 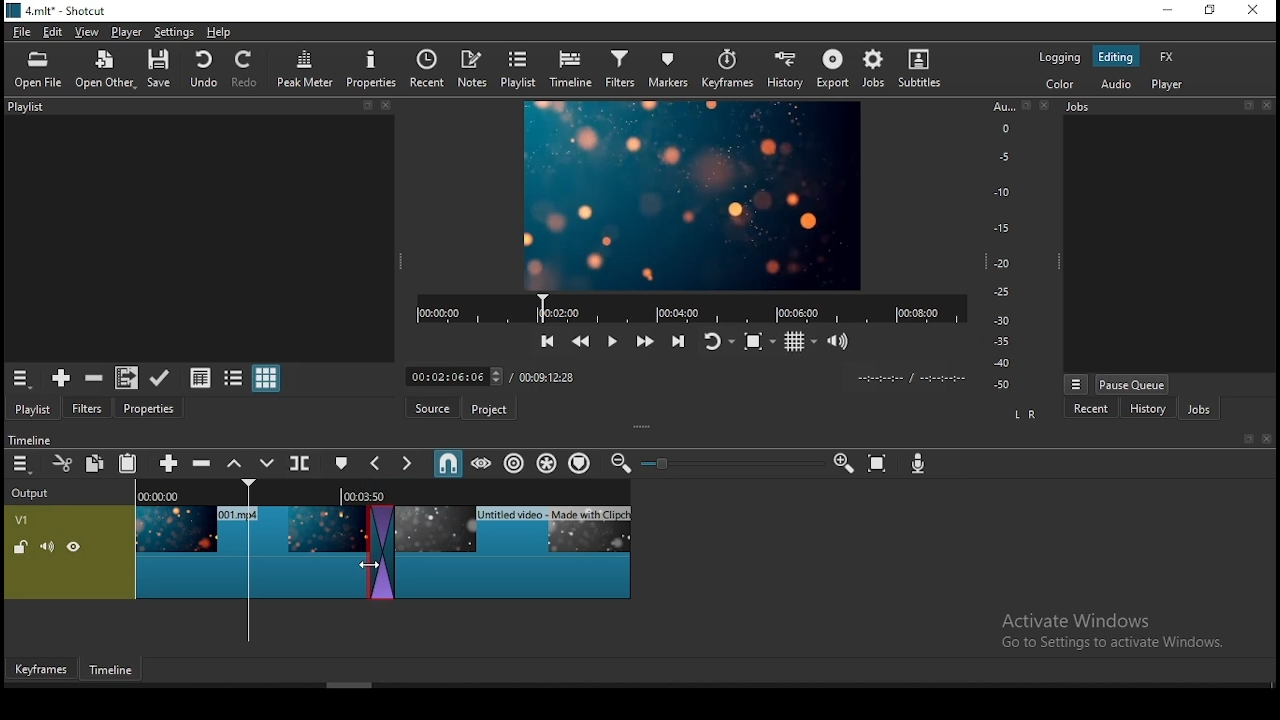 I want to click on remove cut, so click(x=94, y=378).